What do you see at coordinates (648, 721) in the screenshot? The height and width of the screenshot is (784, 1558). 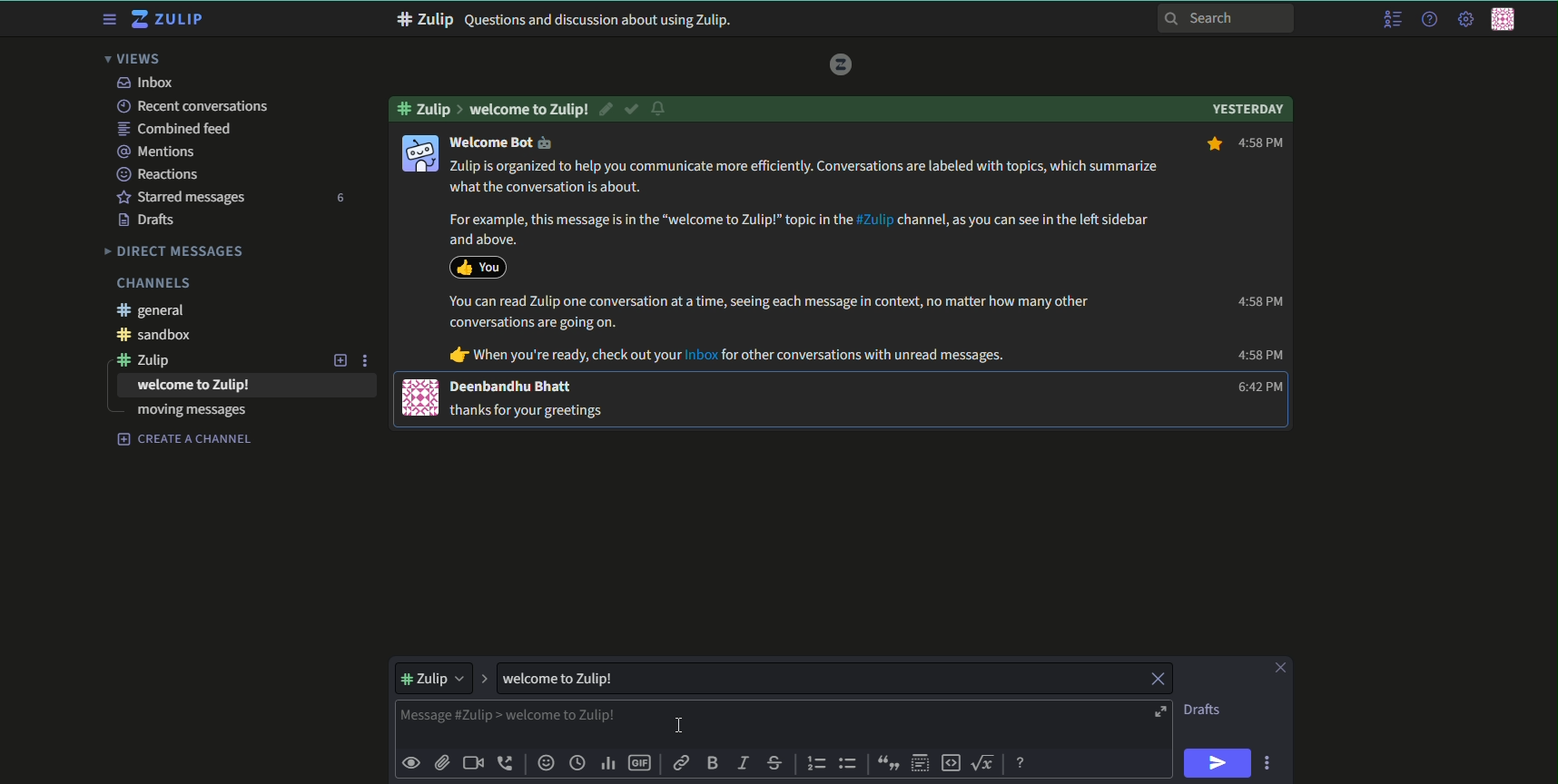 I see `textbox` at bounding box center [648, 721].